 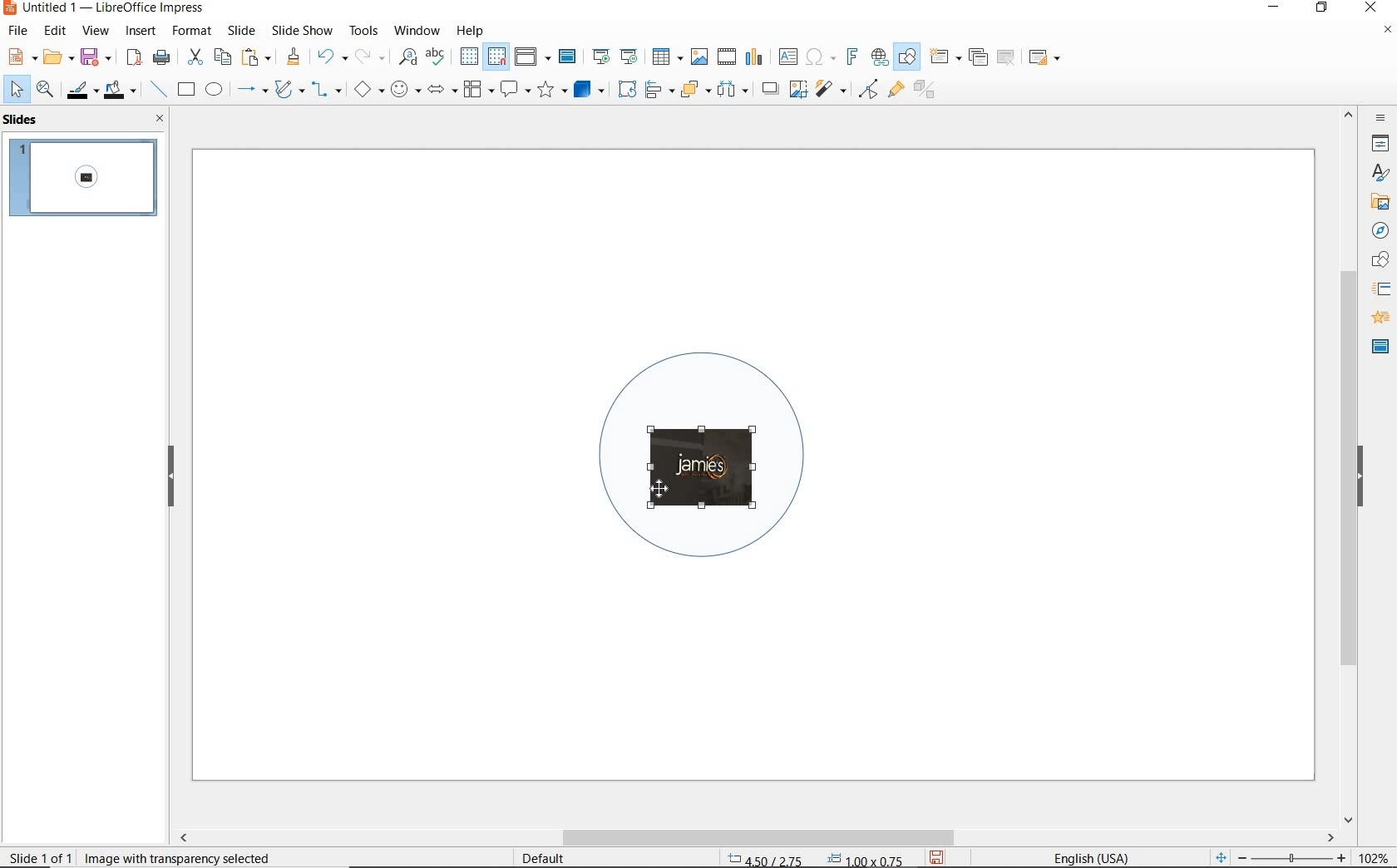 I want to click on insert fontwork text, so click(x=850, y=57).